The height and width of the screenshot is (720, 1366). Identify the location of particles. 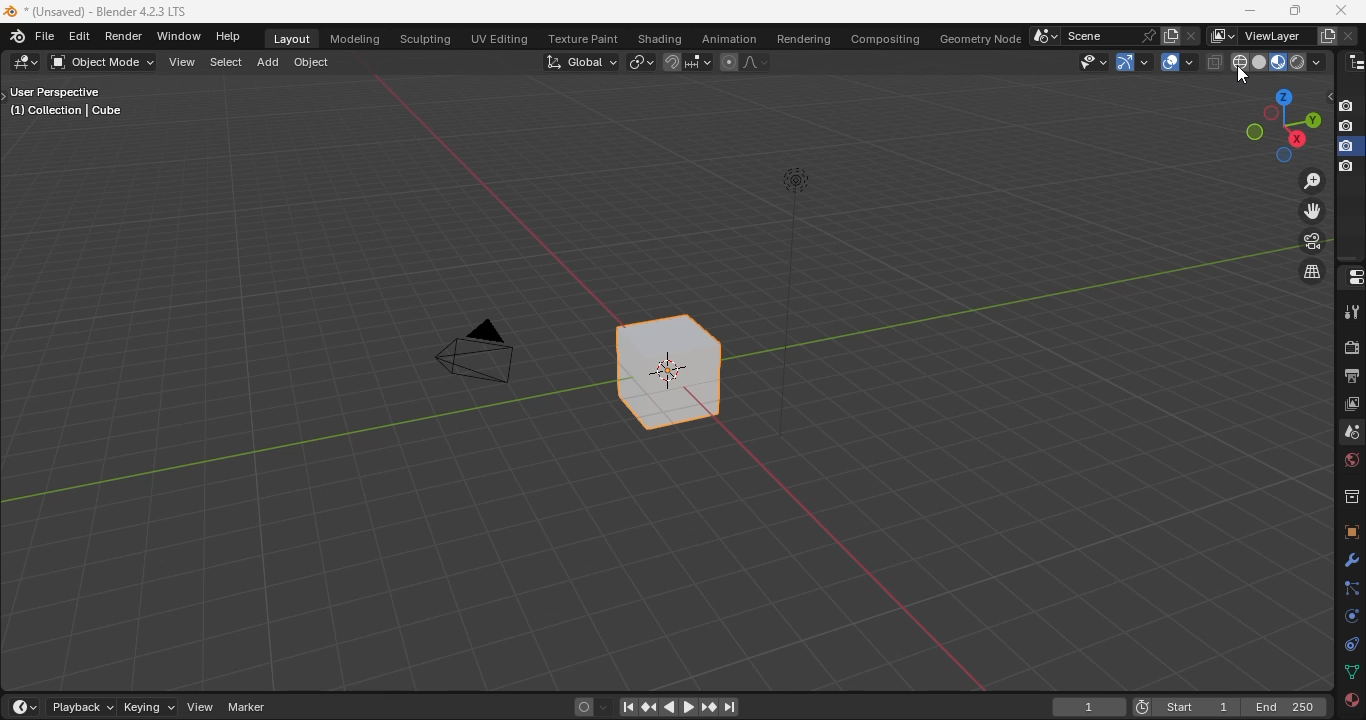
(1351, 589).